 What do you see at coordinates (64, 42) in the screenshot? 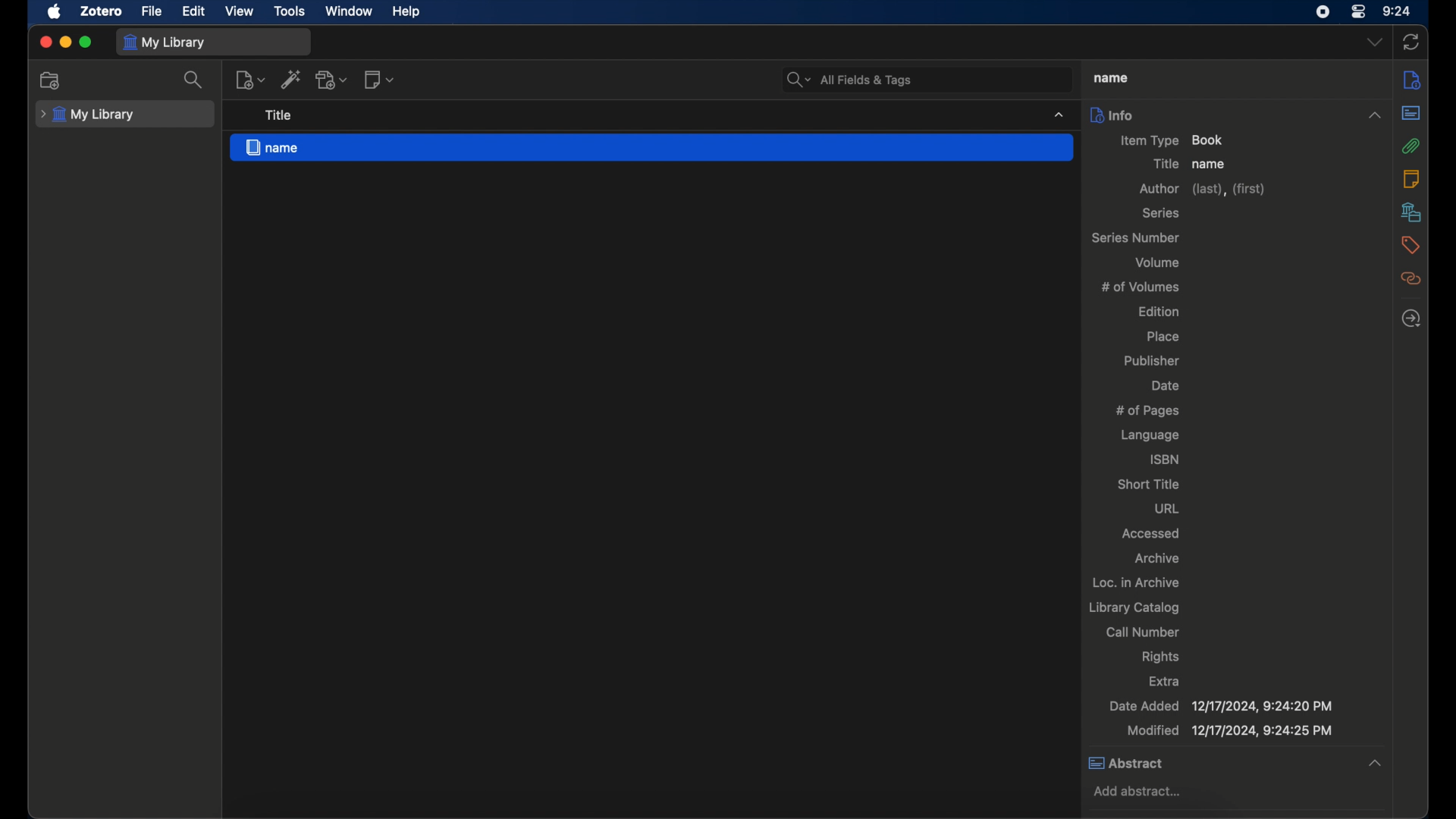
I see `minimize` at bounding box center [64, 42].